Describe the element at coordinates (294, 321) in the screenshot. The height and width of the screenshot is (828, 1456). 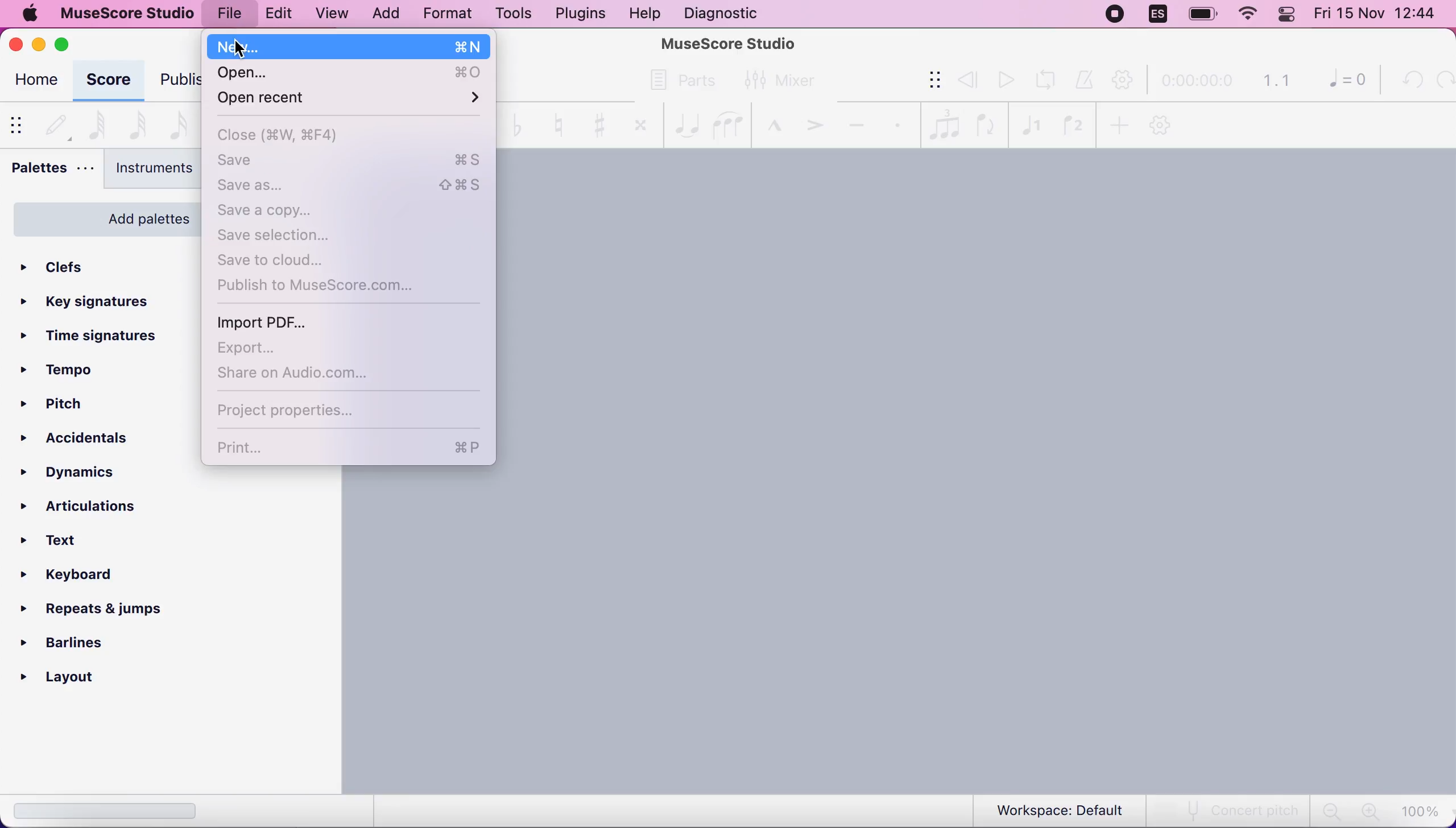
I see `import pdf` at that location.